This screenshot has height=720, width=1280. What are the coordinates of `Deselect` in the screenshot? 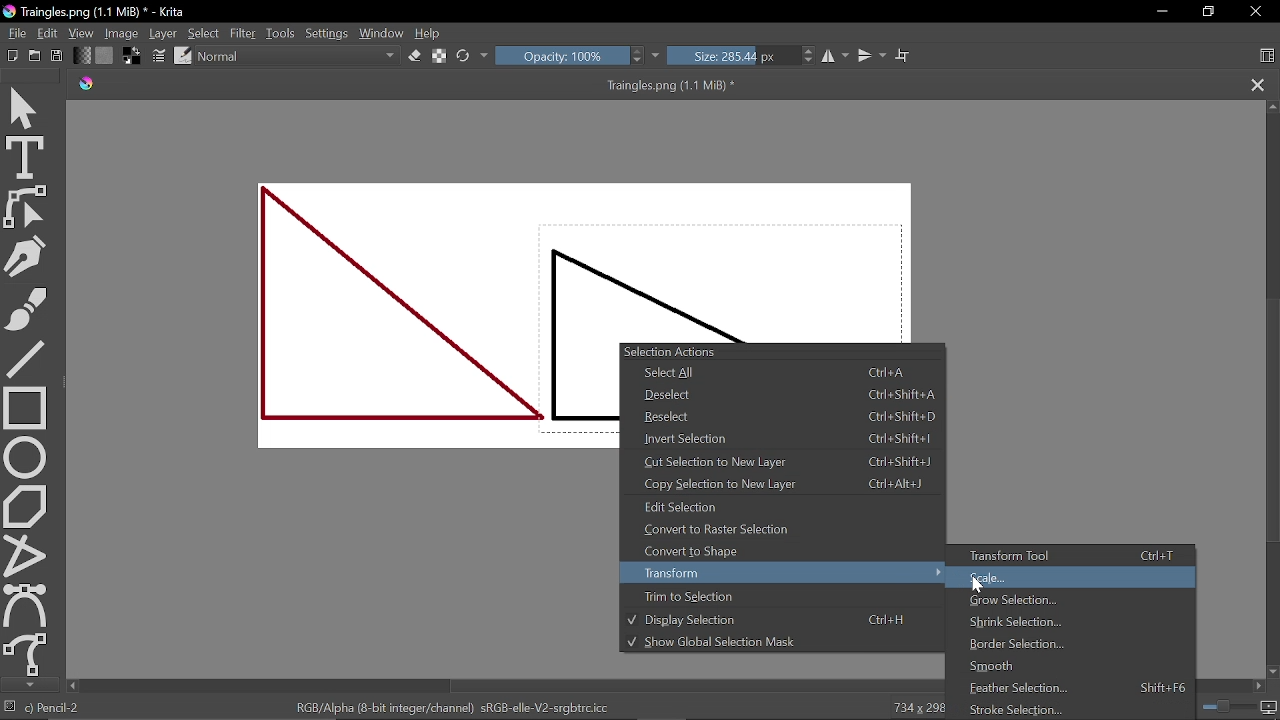 It's located at (783, 394).